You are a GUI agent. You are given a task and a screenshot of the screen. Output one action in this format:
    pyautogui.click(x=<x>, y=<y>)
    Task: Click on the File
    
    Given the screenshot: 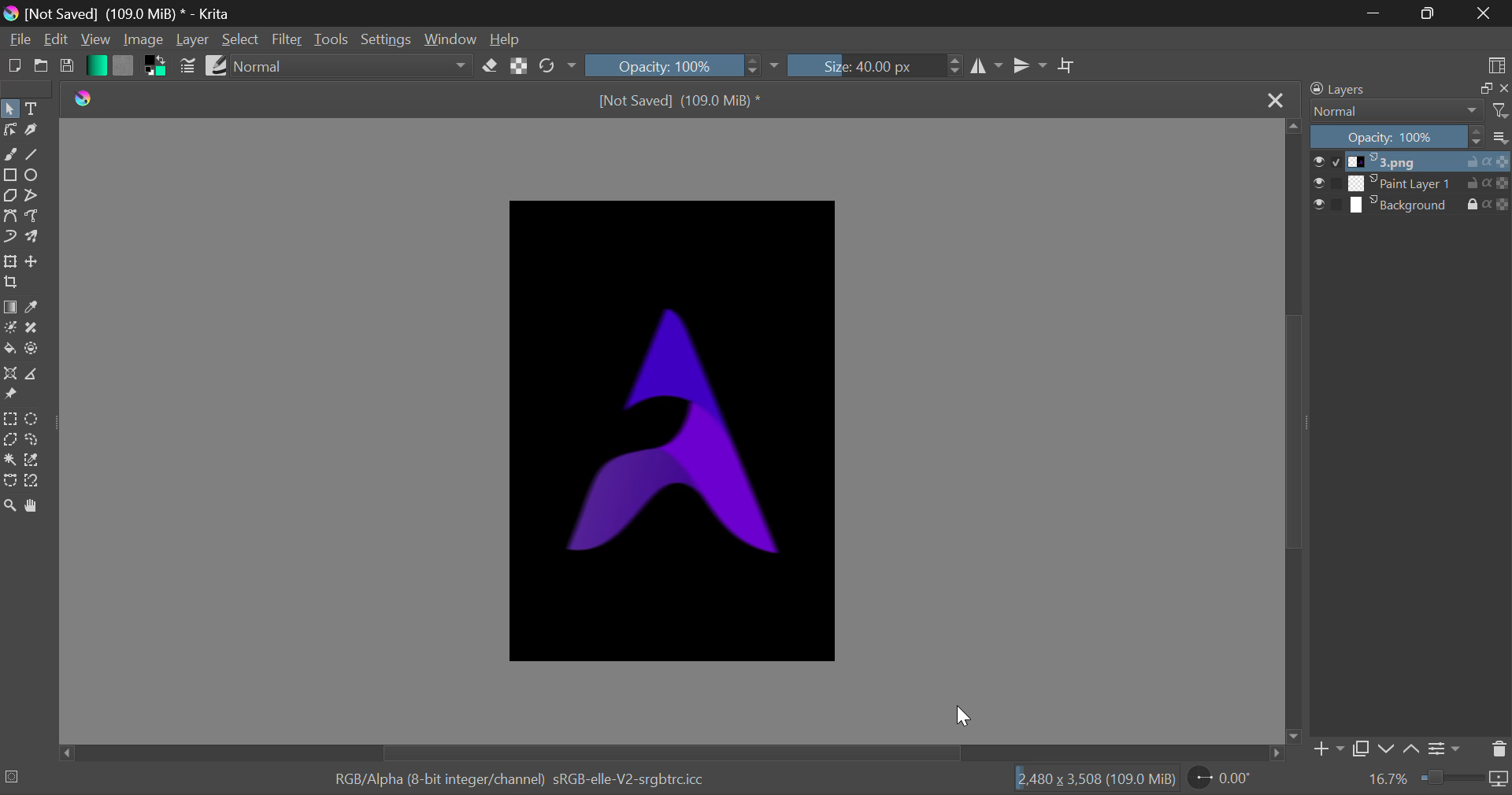 What is the action you would take?
    pyautogui.click(x=18, y=42)
    